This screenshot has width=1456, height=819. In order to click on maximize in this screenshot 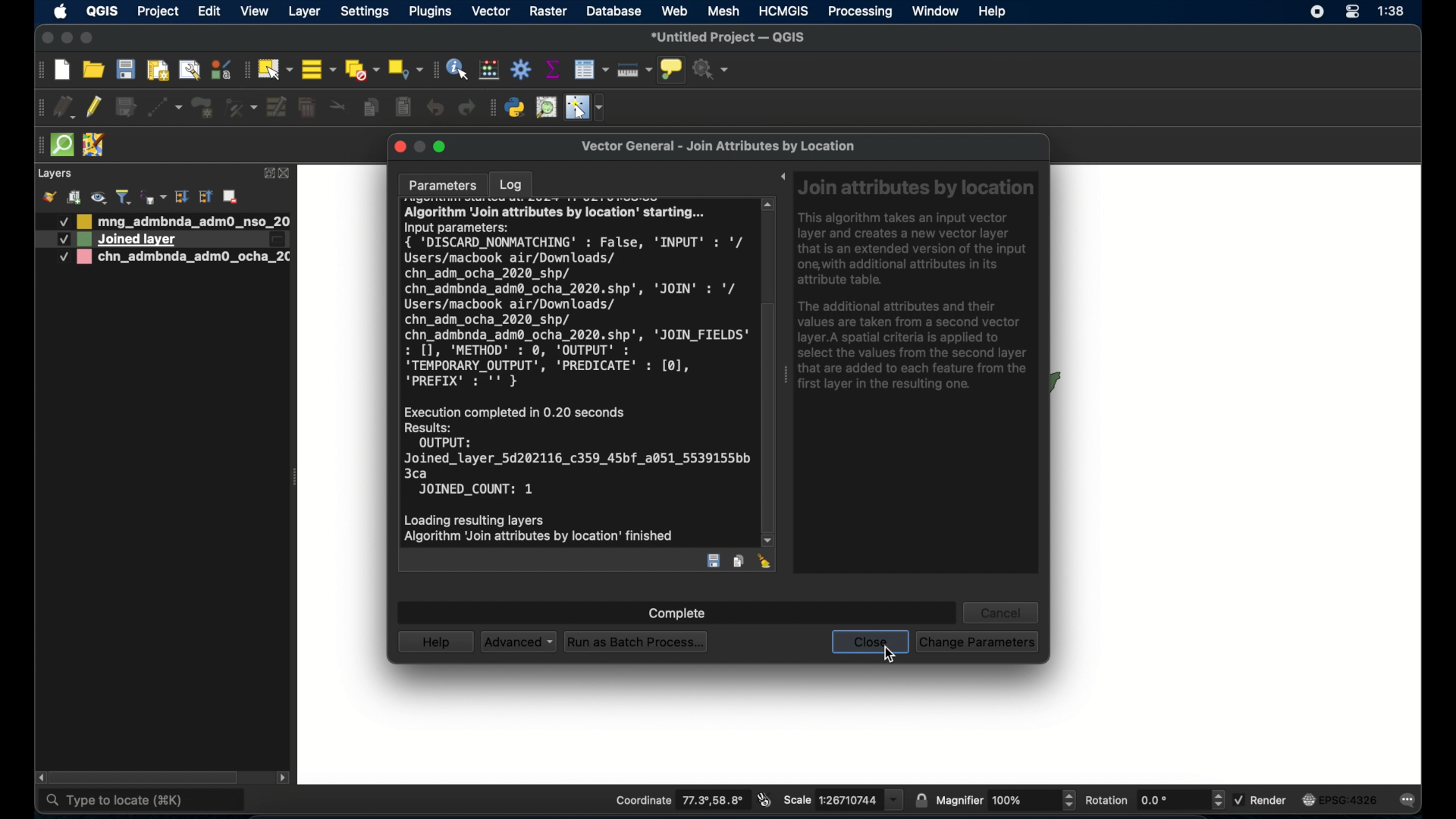, I will do `click(88, 38)`.